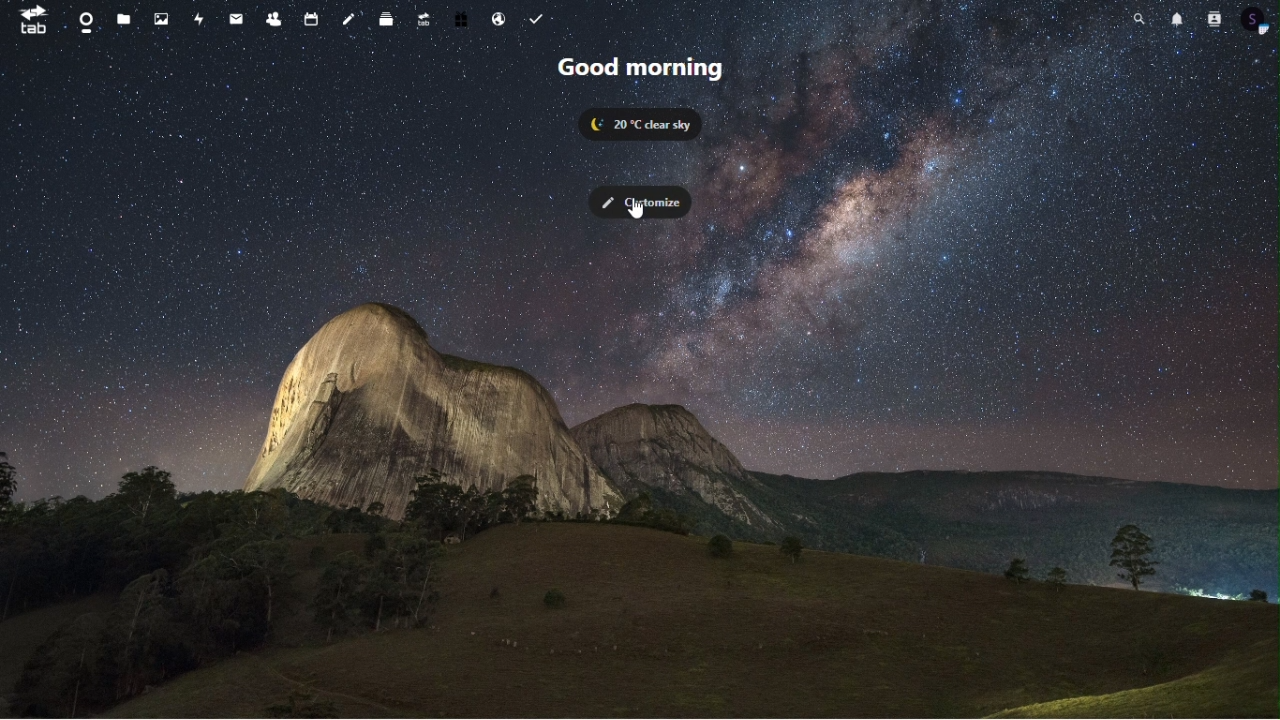 The width and height of the screenshot is (1280, 720). What do you see at coordinates (1175, 16) in the screenshot?
I see `notification` at bounding box center [1175, 16].